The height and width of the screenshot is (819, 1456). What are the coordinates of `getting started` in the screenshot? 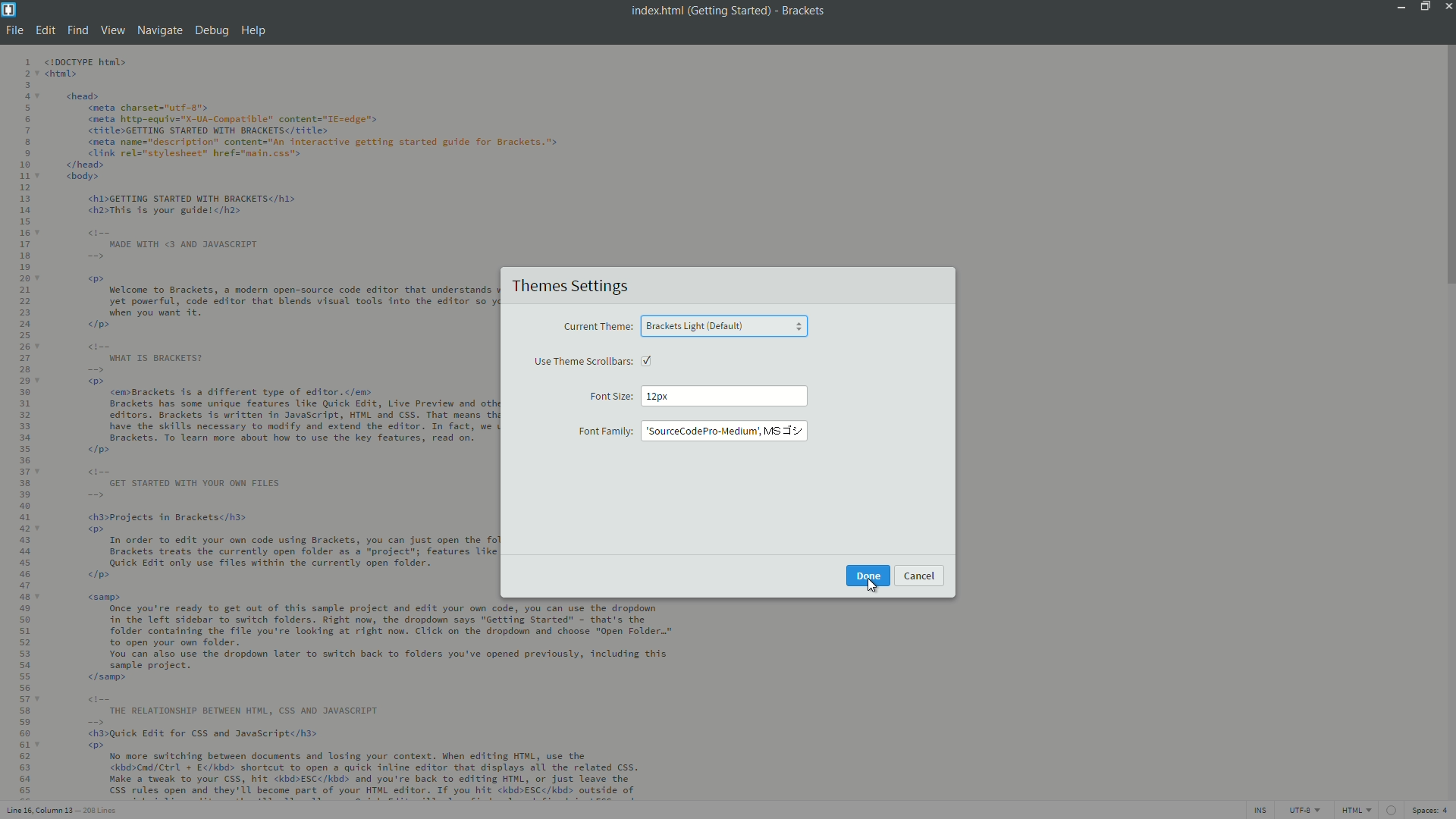 It's located at (729, 11).